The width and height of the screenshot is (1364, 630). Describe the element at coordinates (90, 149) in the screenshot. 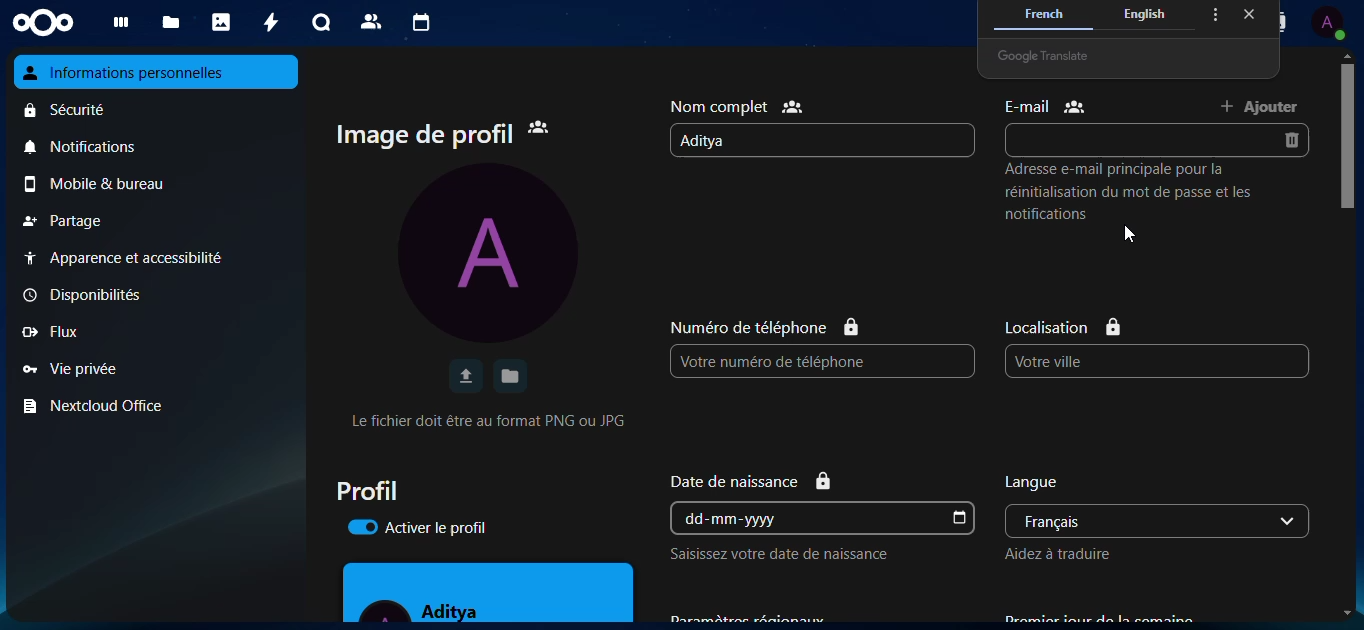

I see `notifications` at that location.